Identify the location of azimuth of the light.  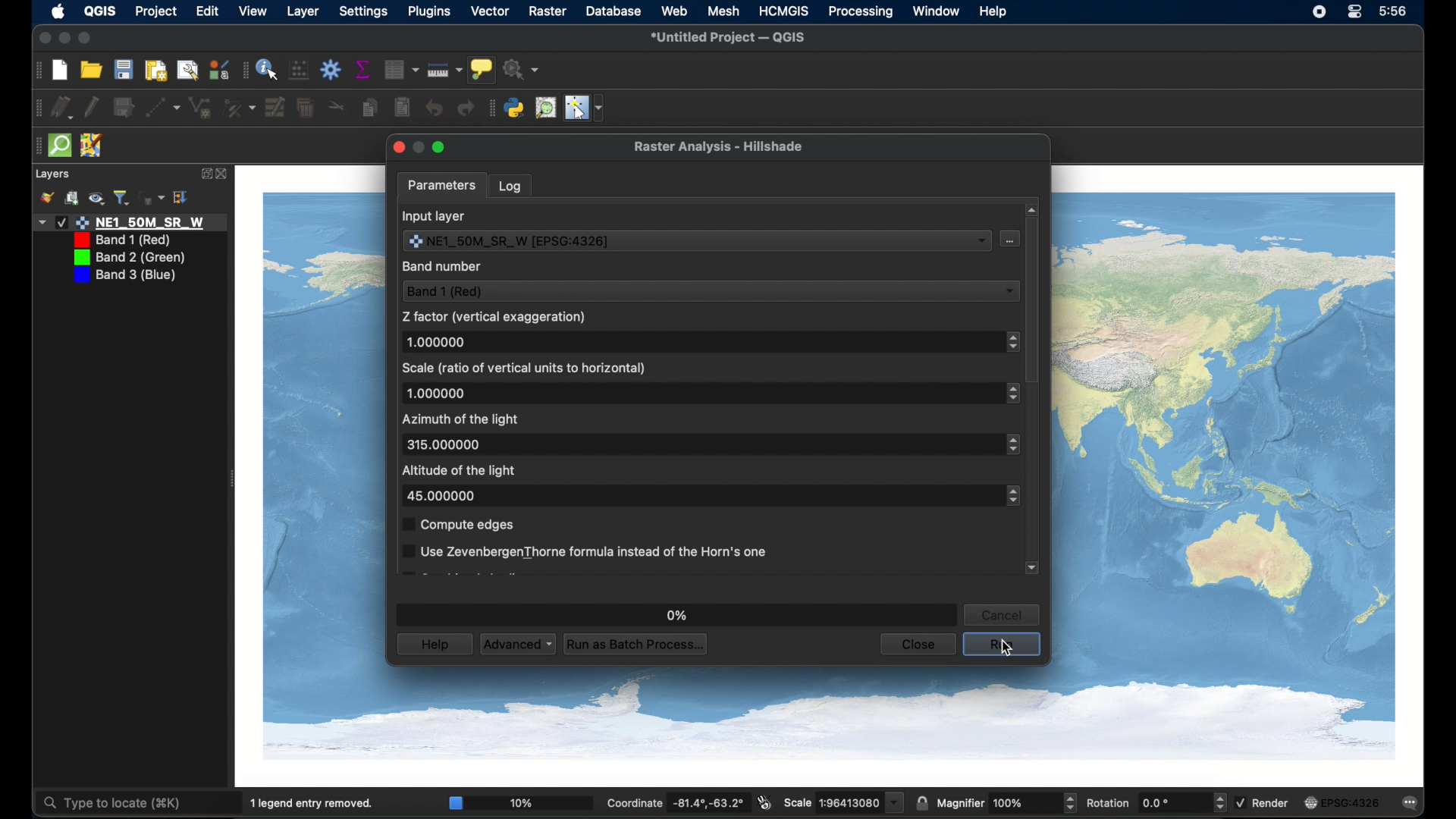
(461, 419).